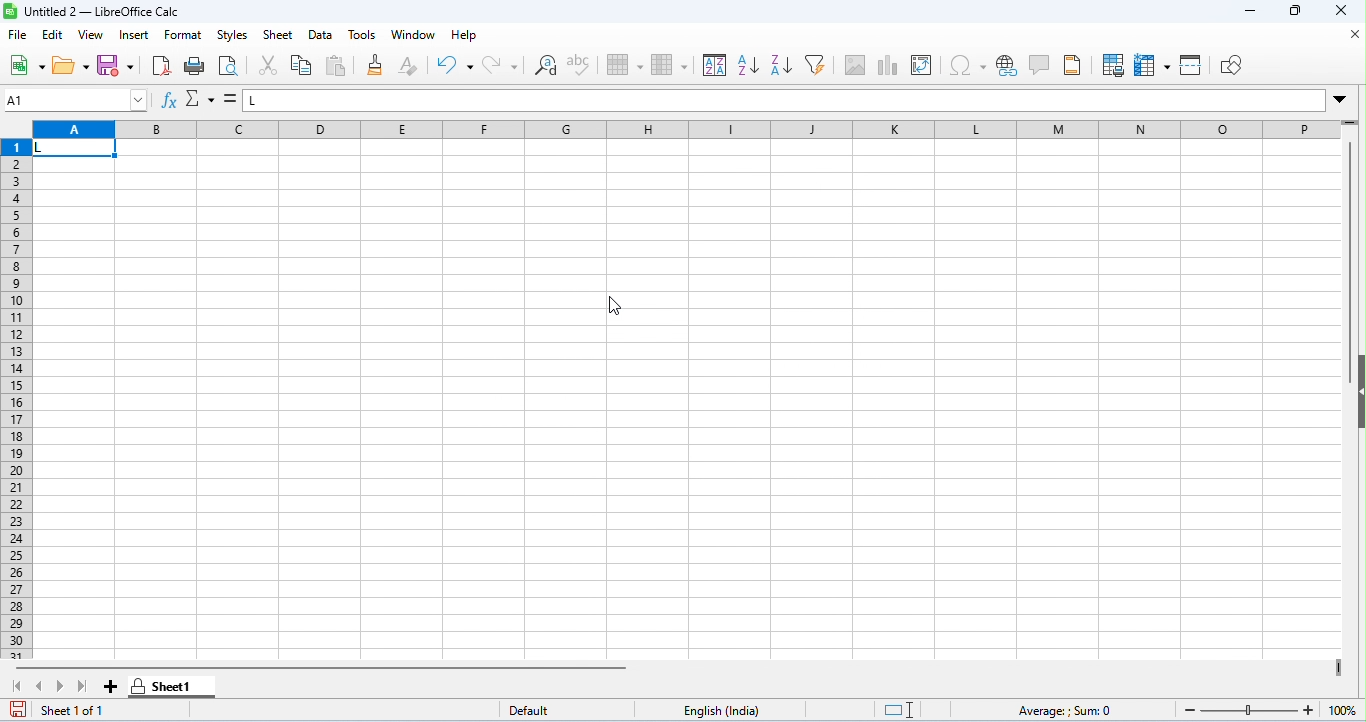 Image resolution: width=1366 pixels, height=722 pixels. What do you see at coordinates (667, 64) in the screenshot?
I see `column` at bounding box center [667, 64].